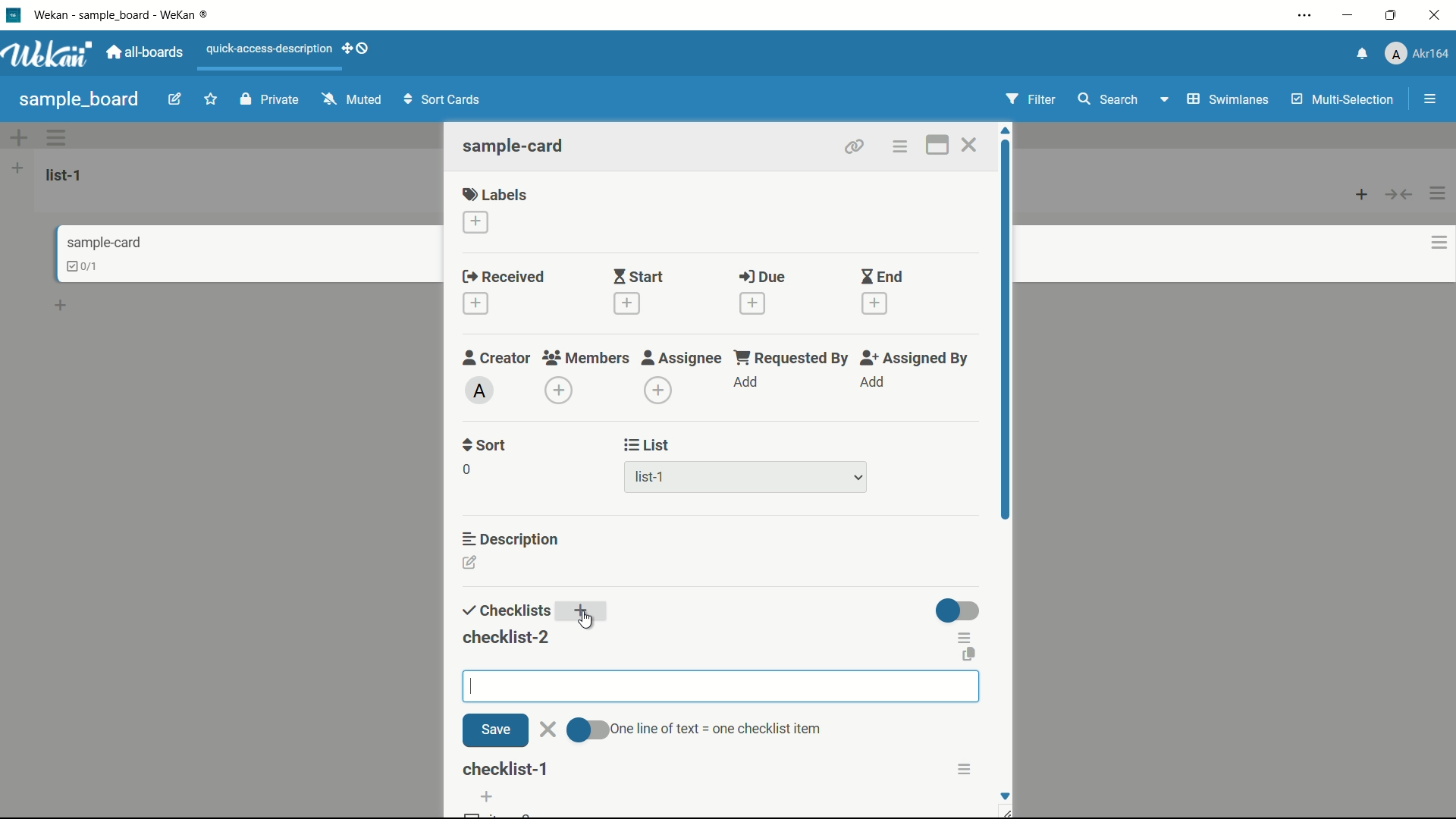  I want to click on add date, so click(752, 303).